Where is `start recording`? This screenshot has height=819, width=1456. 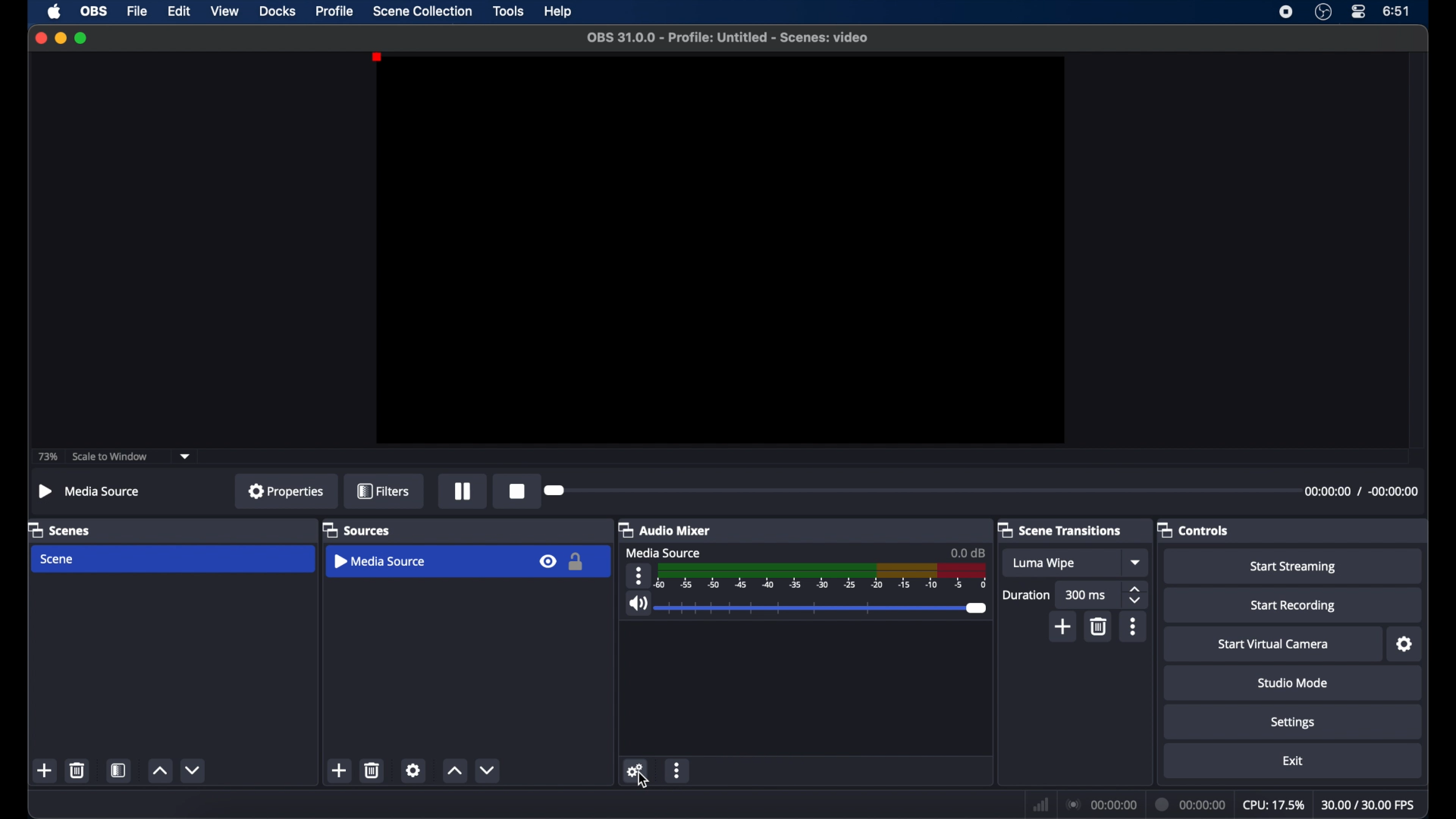
start recording is located at coordinates (1294, 606).